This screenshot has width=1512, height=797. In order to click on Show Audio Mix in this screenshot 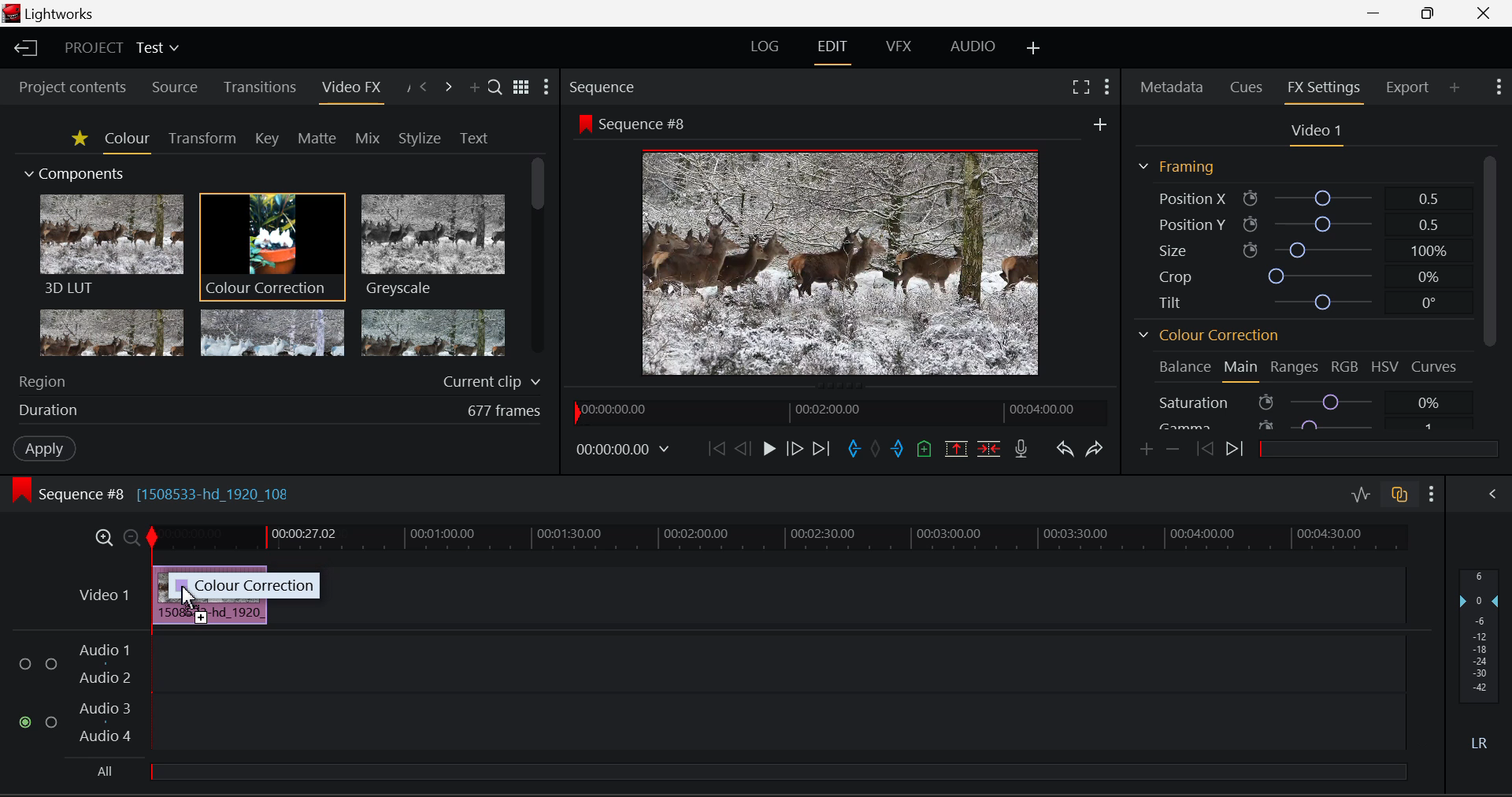, I will do `click(1492, 494)`.